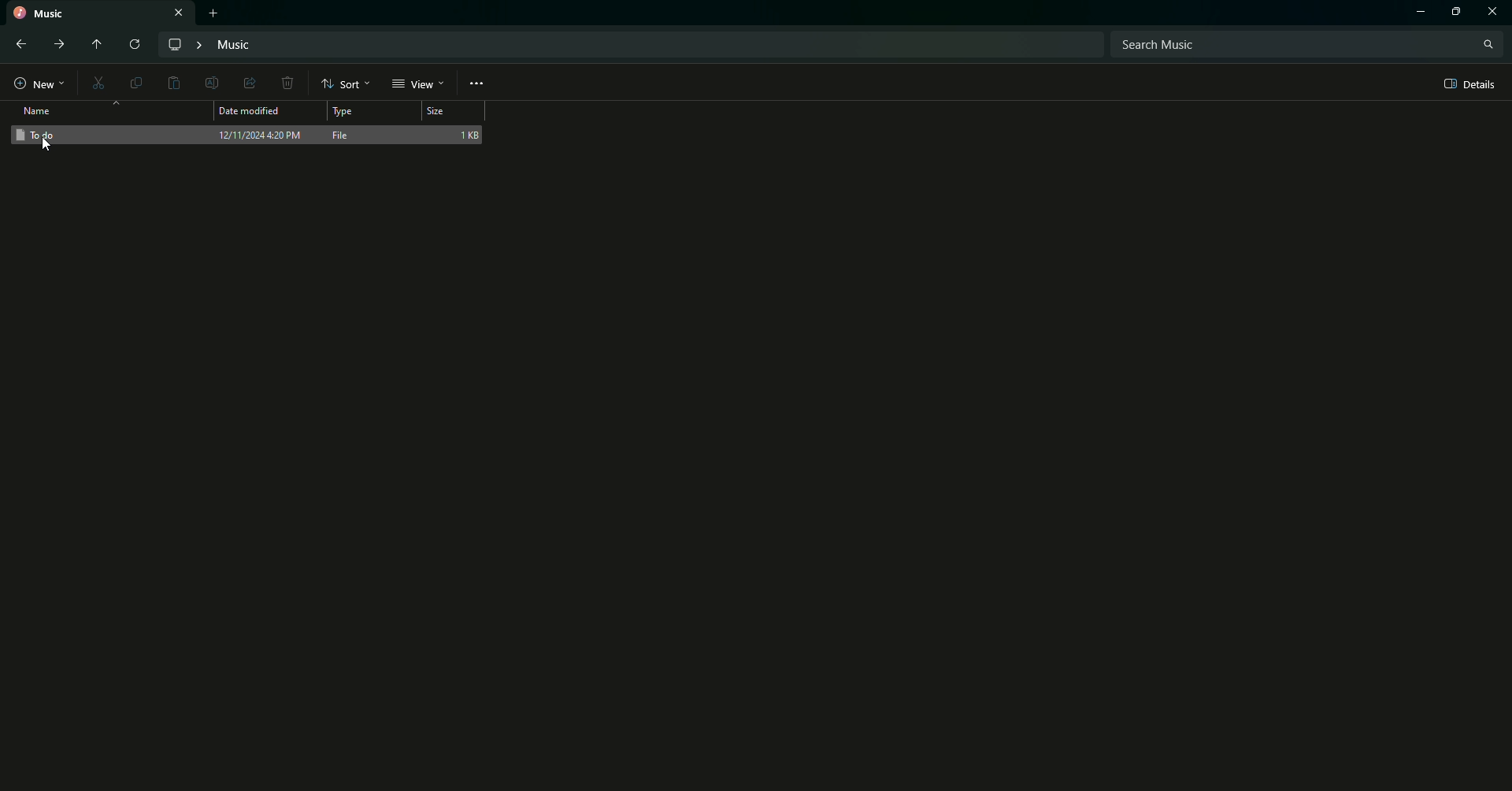  Describe the element at coordinates (137, 84) in the screenshot. I see `Copy` at that location.